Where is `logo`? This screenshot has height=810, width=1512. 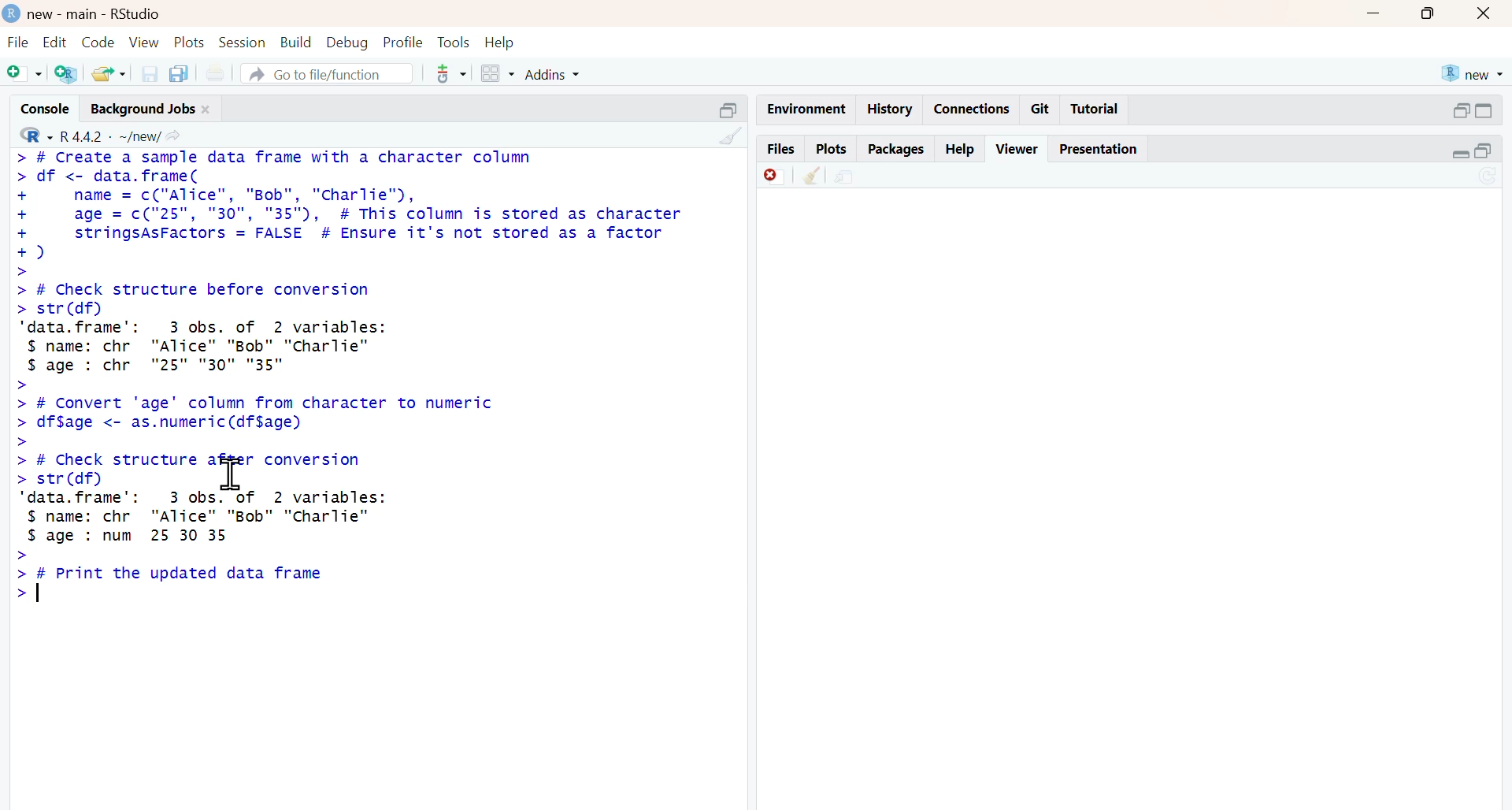
logo is located at coordinates (13, 13).